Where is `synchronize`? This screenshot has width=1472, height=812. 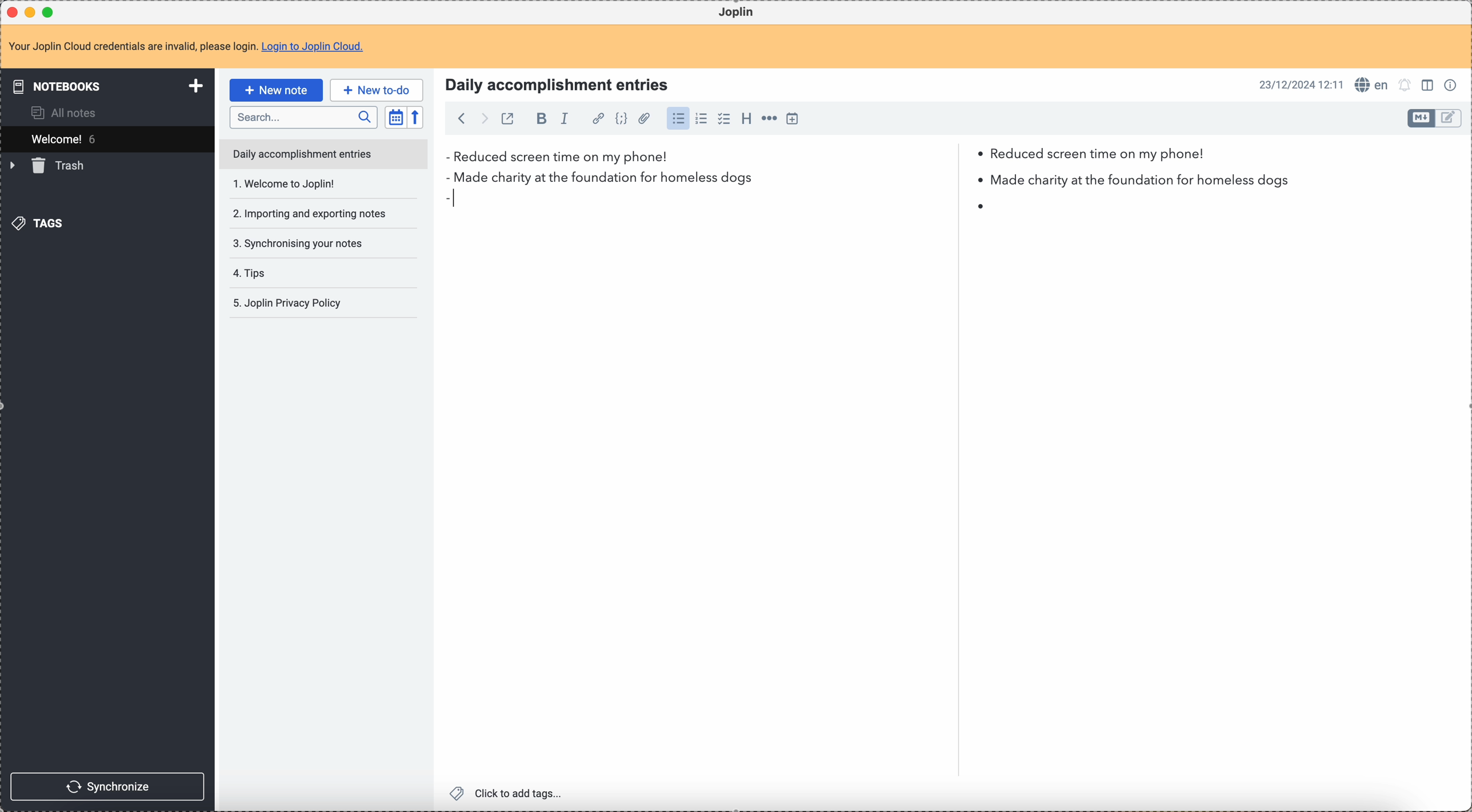
synchronize is located at coordinates (107, 785).